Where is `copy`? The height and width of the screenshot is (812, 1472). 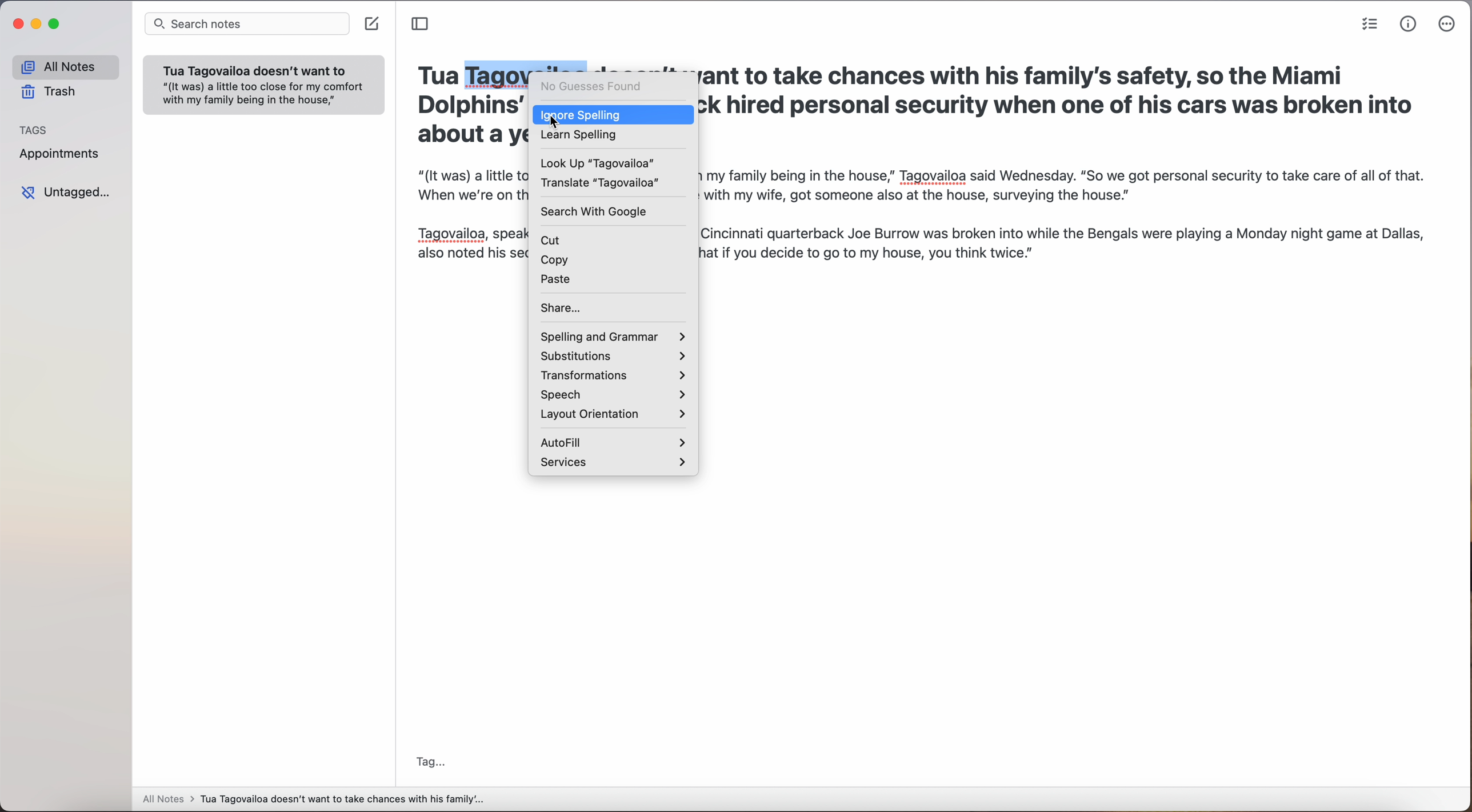
copy is located at coordinates (555, 257).